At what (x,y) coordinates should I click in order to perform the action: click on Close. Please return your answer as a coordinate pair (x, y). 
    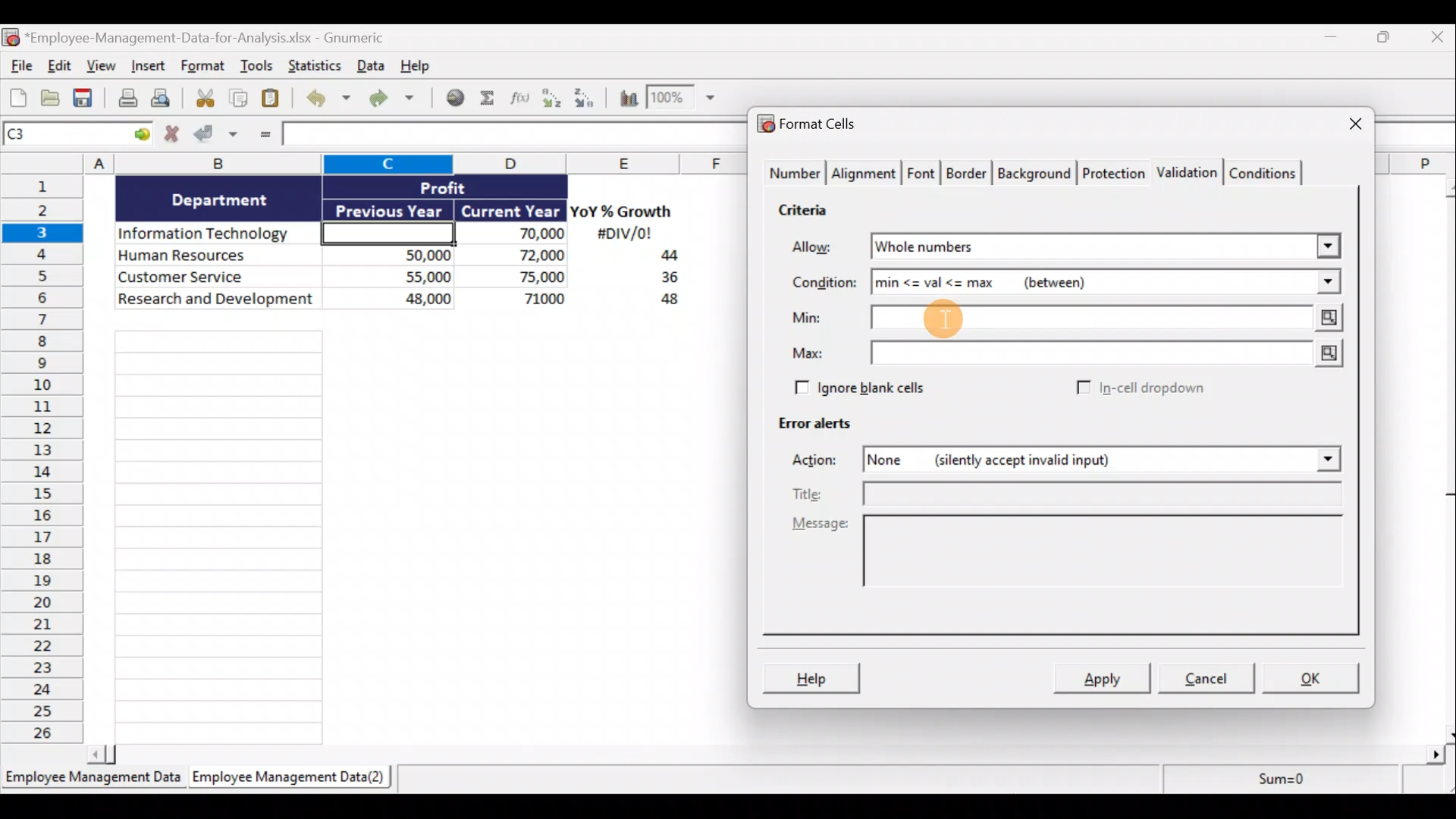
    Looking at the image, I should click on (1434, 40).